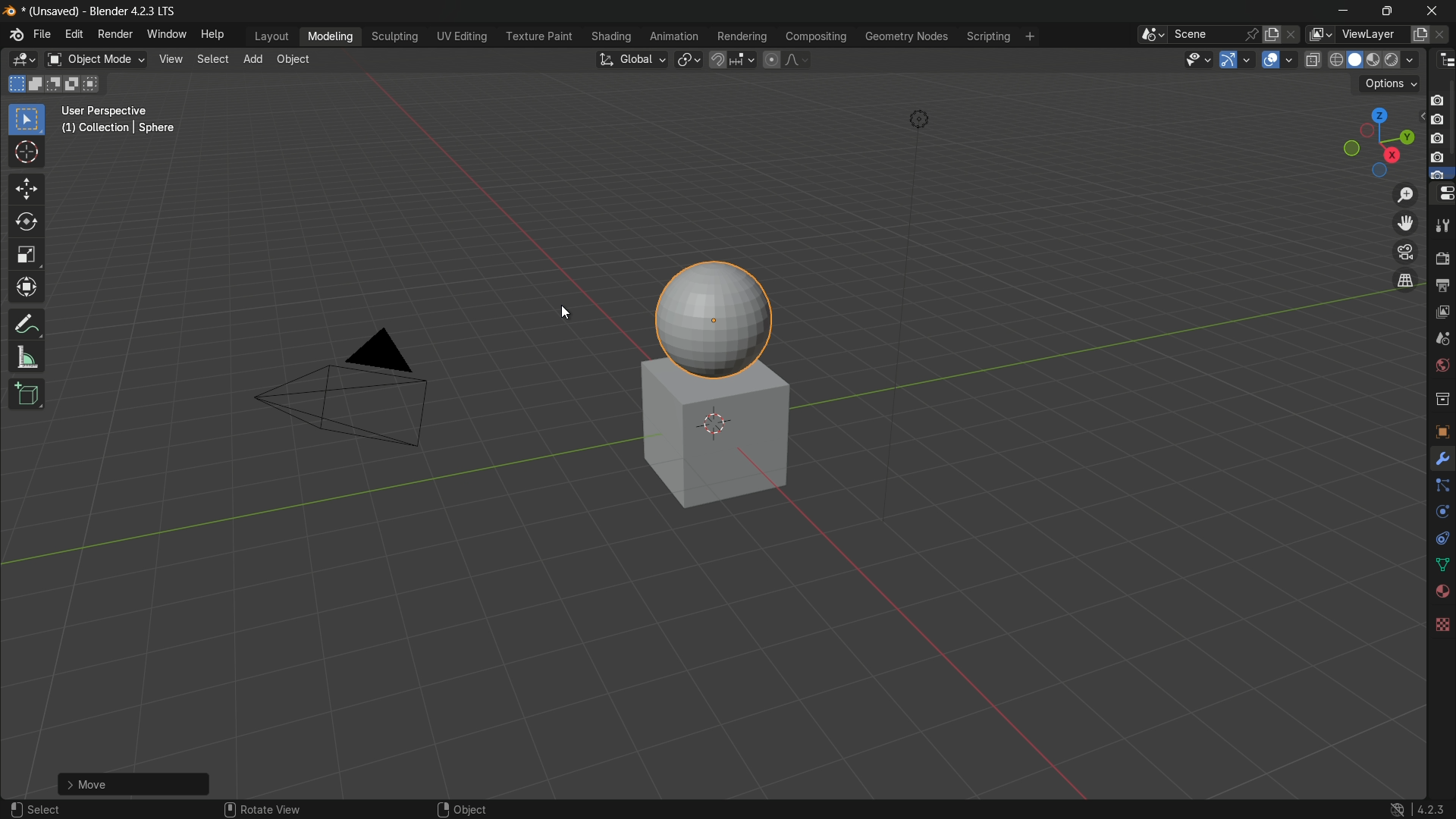 This screenshot has width=1456, height=819. What do you see at coordinates (732, 59) in the screenshot?
I see `snap` at bounding box center [732, 59].